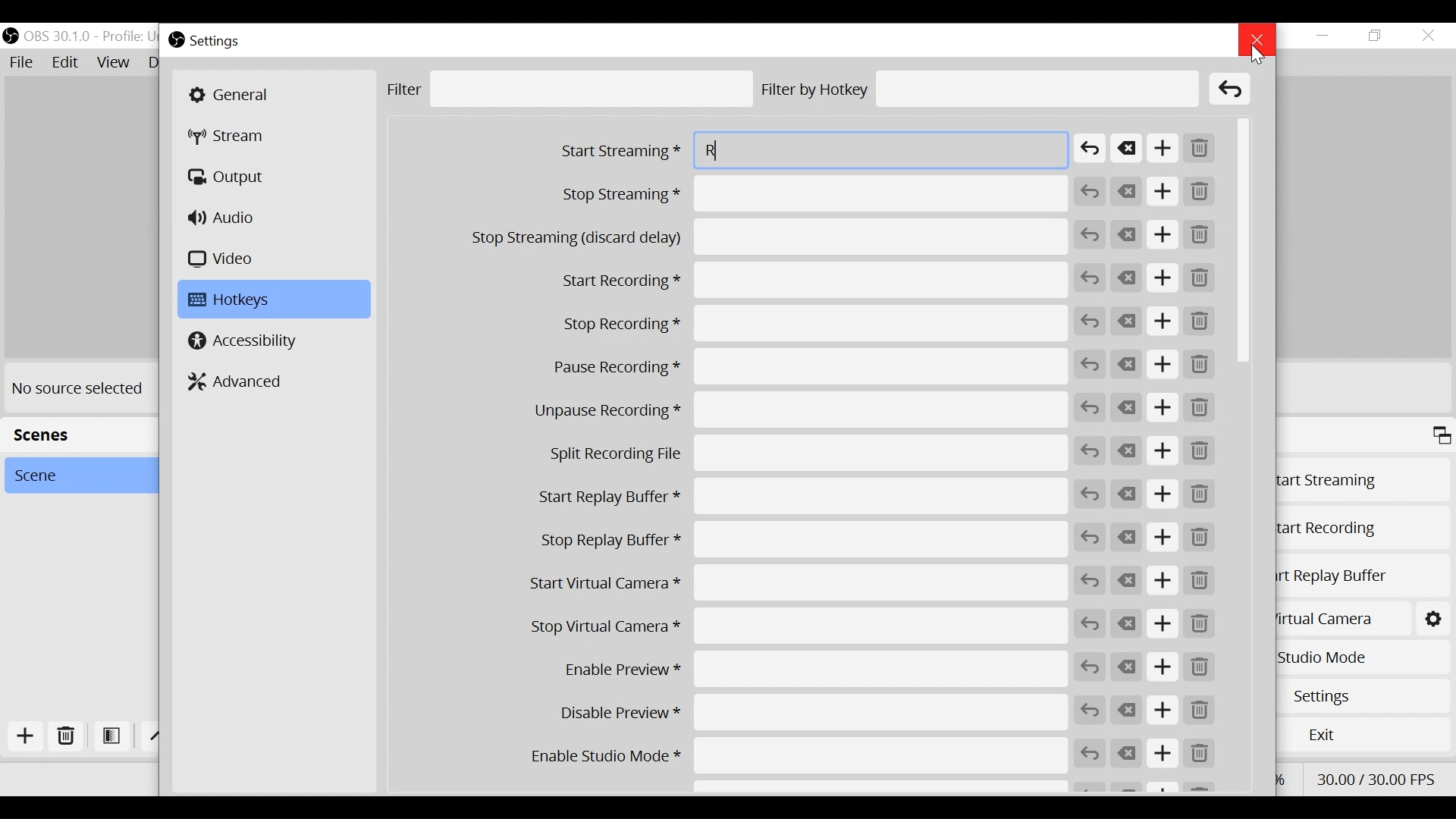  Describe the element at coordinates (1200, 236) in the screenshot. I see `Remove` at that location.